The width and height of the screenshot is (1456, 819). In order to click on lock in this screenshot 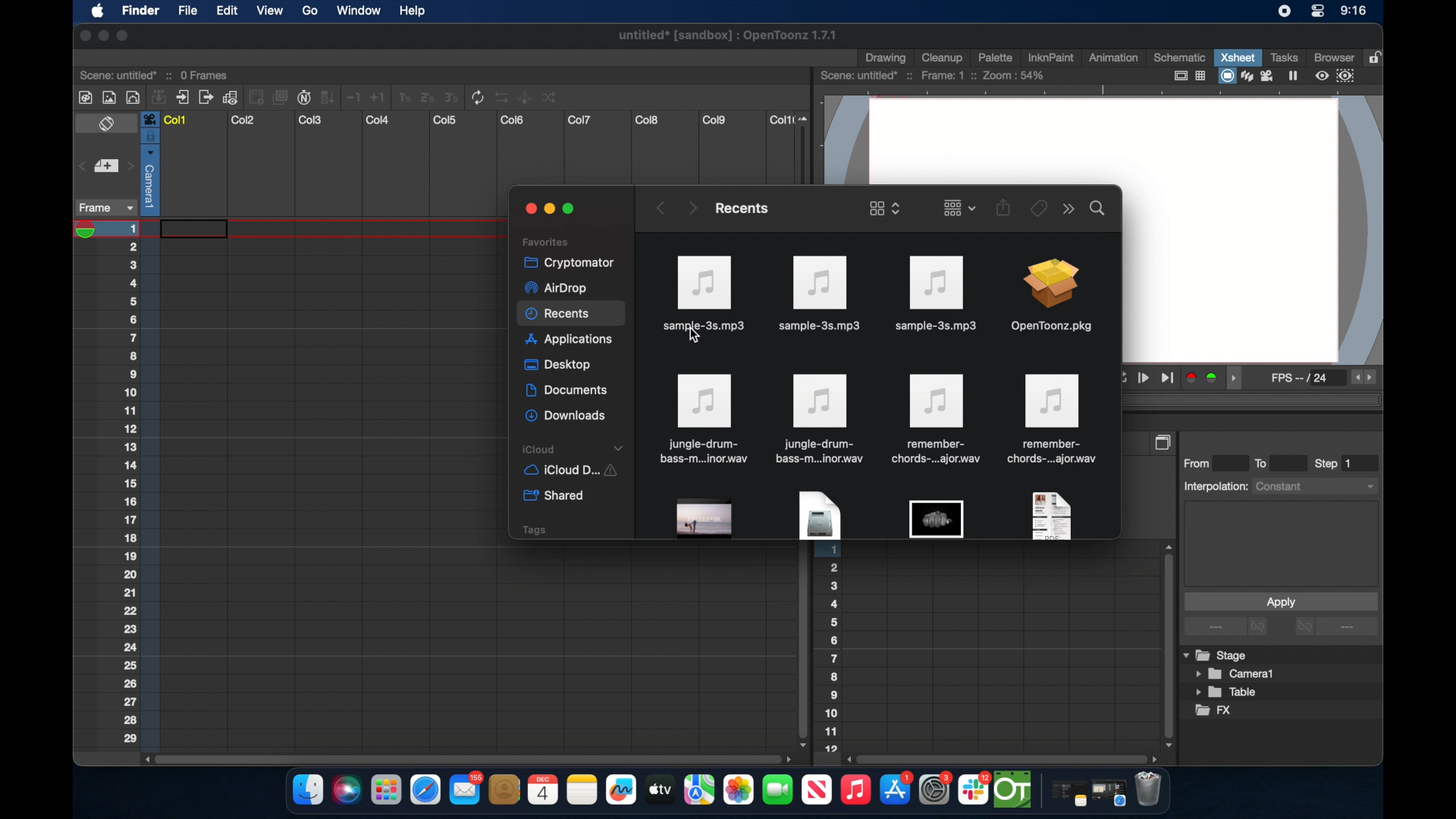, I will do `click(1377, 56)`.